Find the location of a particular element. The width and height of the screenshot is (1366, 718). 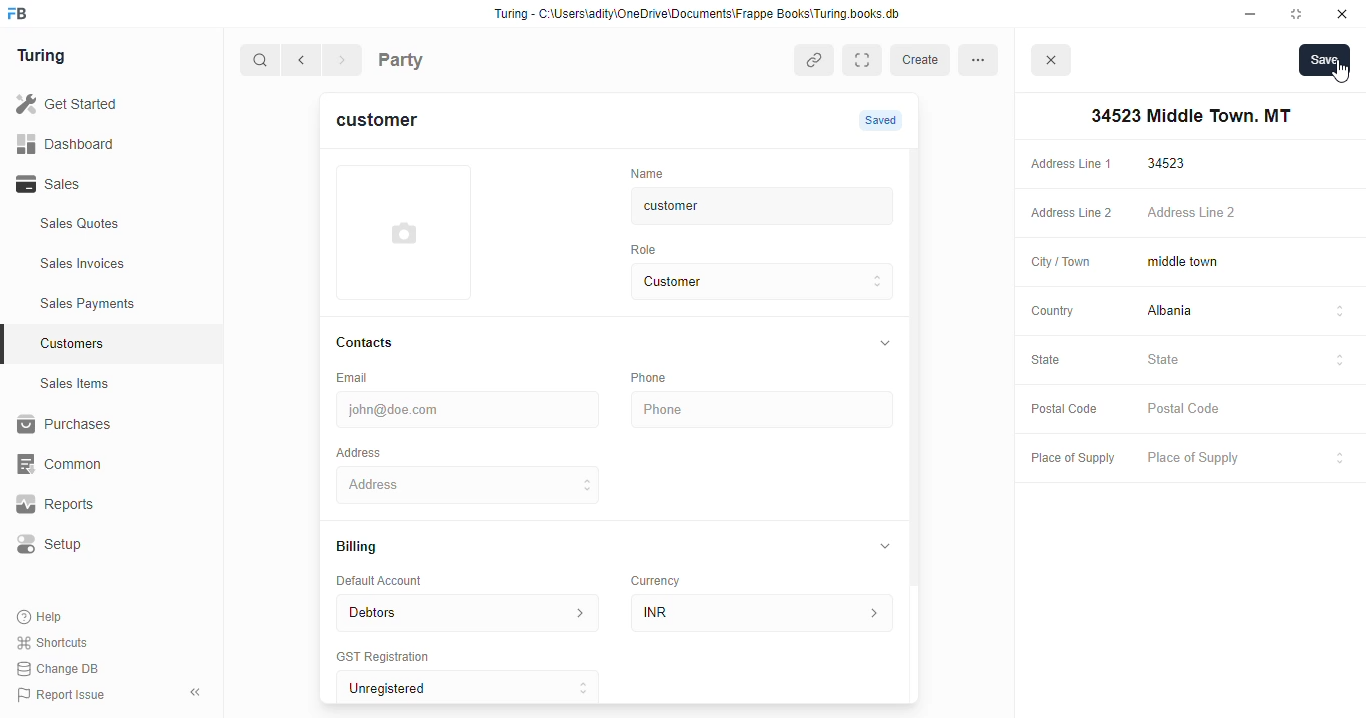

Address Line 2 is located at coordinates (1067, 214).